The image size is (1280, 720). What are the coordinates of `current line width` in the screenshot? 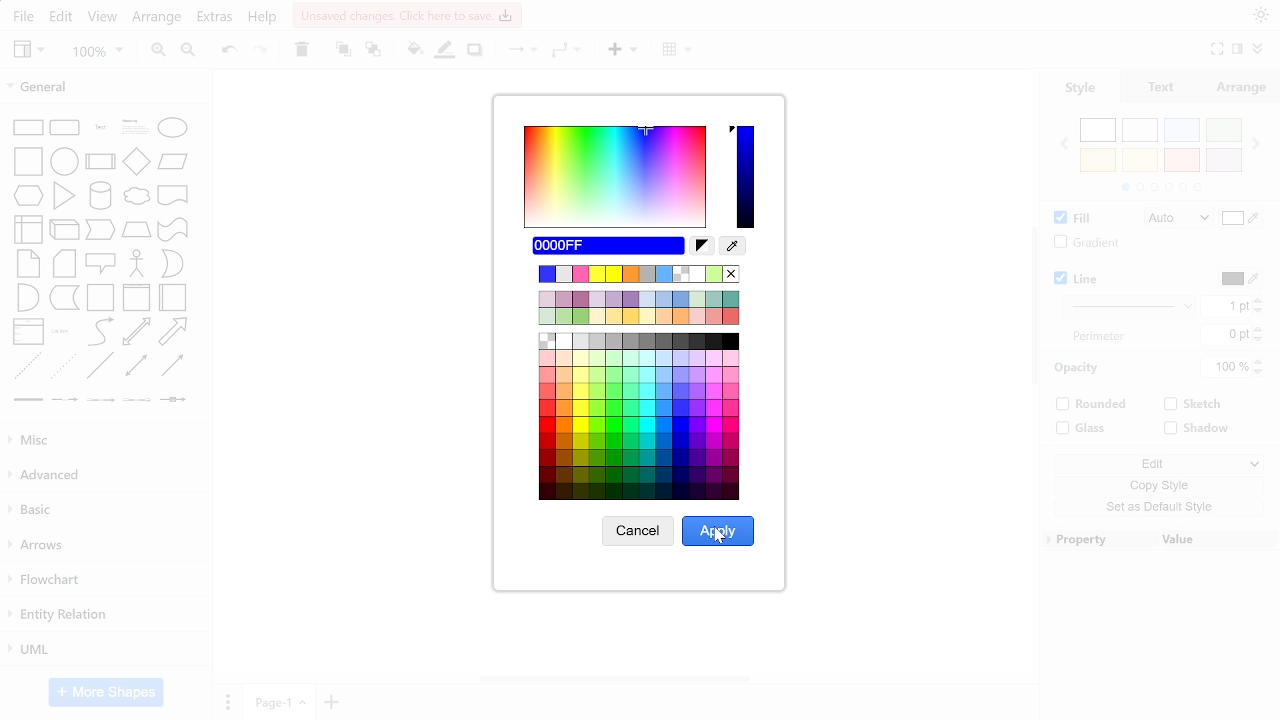 It's located at (1226, 307).